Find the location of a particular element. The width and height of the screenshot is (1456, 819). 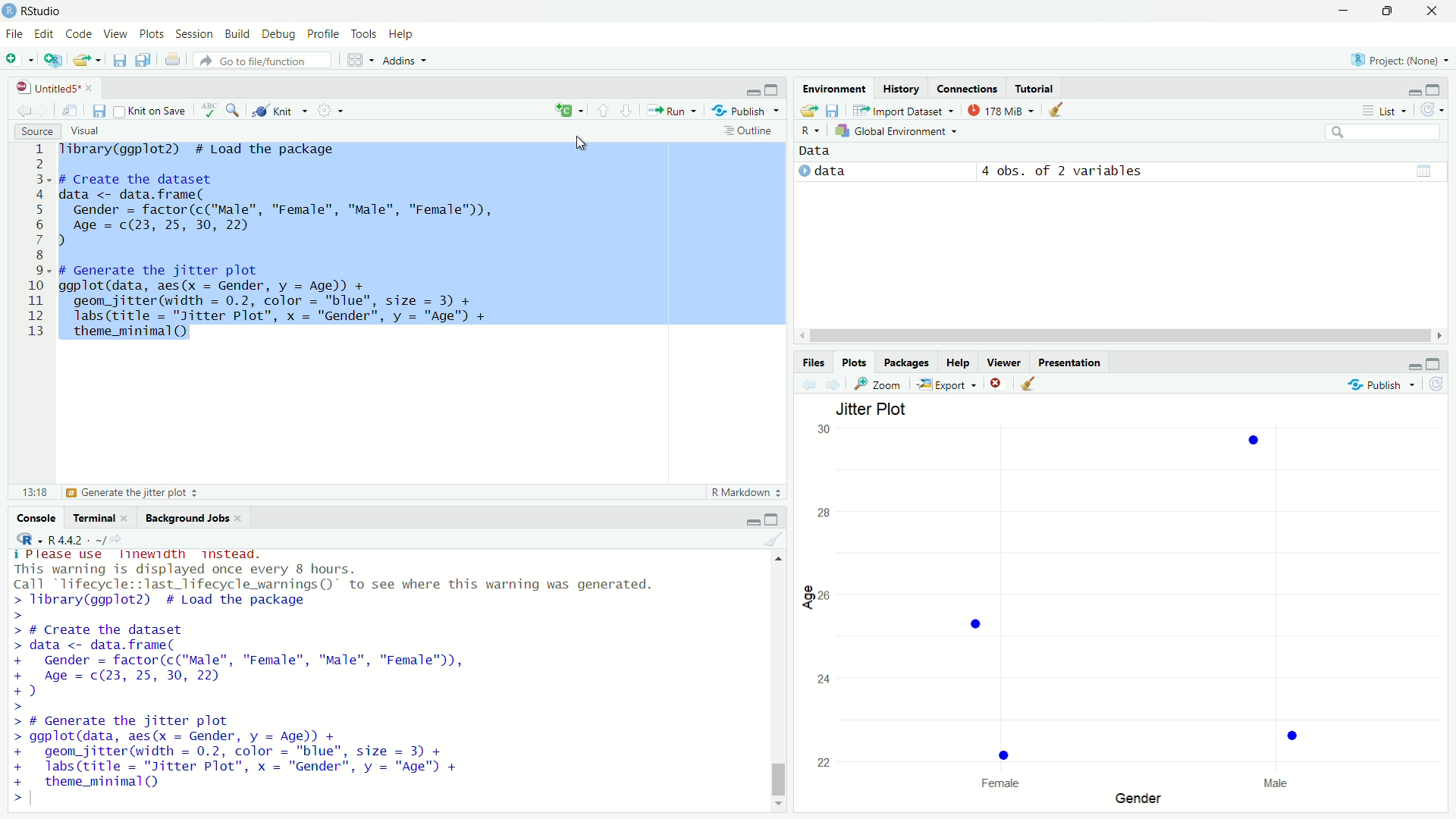

files is located at coordinates (814, 361).